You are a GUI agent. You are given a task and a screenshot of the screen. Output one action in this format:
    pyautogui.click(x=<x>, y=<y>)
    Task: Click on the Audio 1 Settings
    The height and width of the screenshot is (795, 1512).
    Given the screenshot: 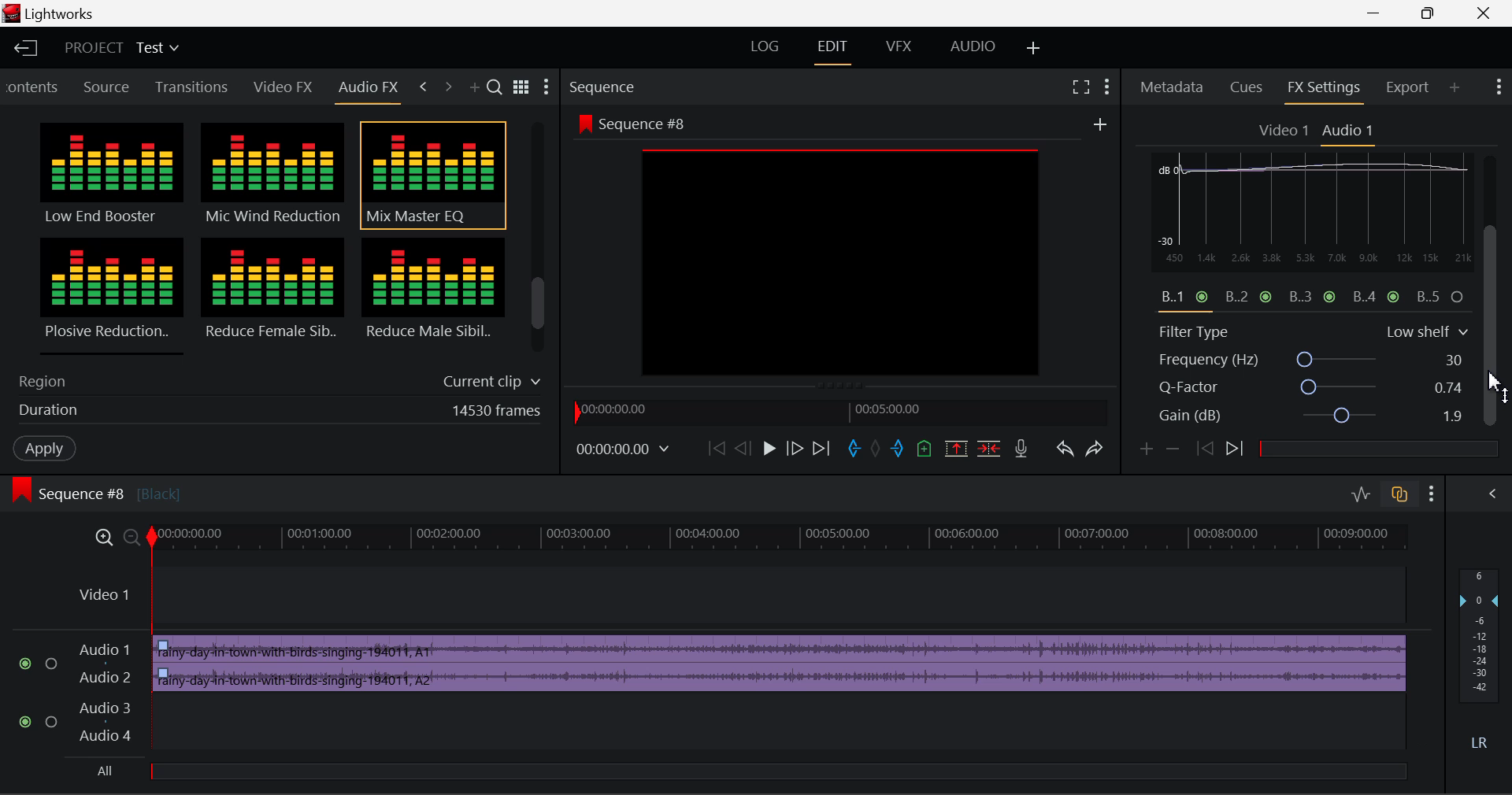 What is the action you would take?
    pyautogui.click(x=1350, y=131)
    